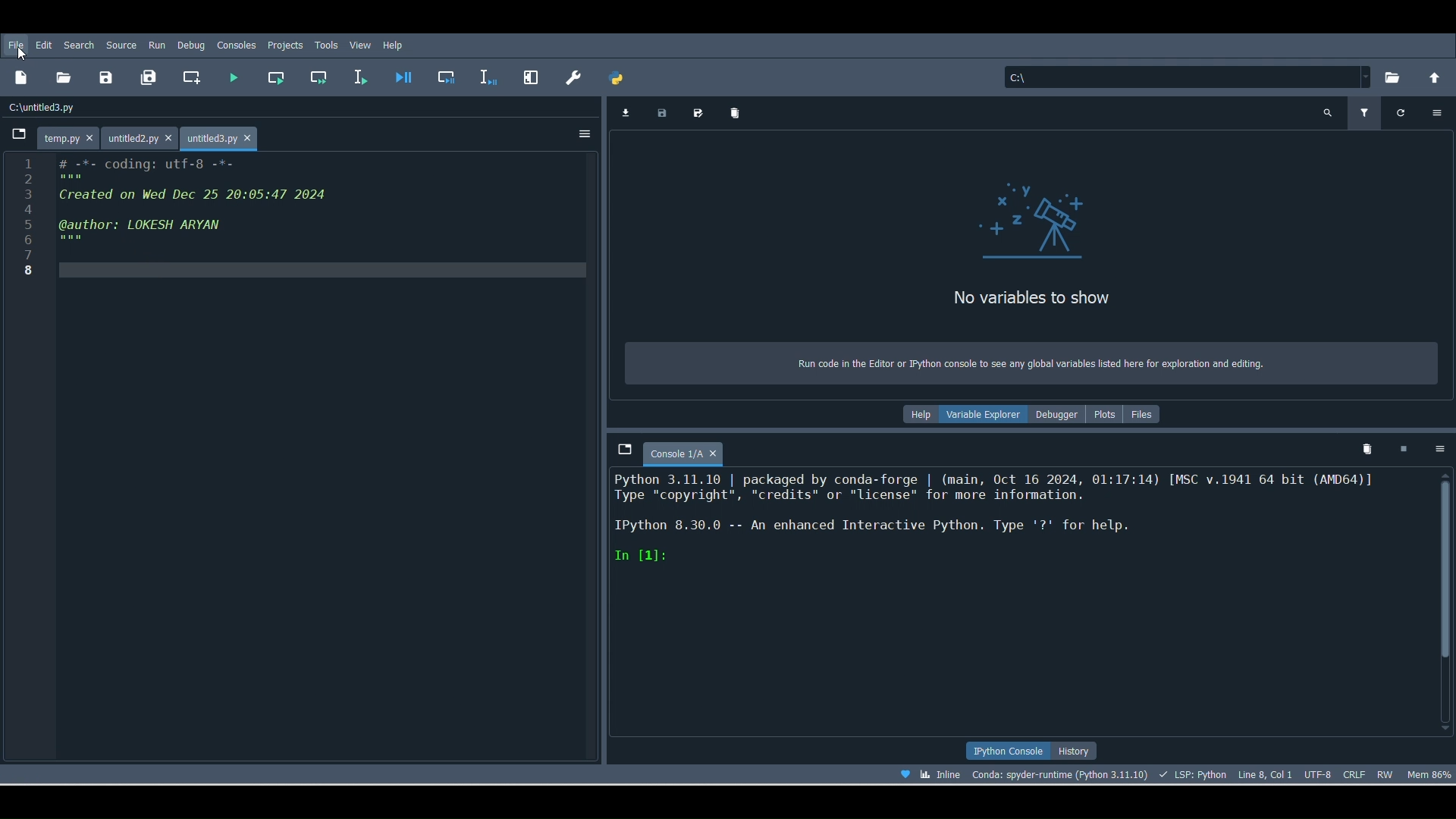 This screenshot has width=1456, height=819. What do you see at coordinates (1265, 771) in the screenshot?
I see `Cursor position` at bounding box center [1265, 771].